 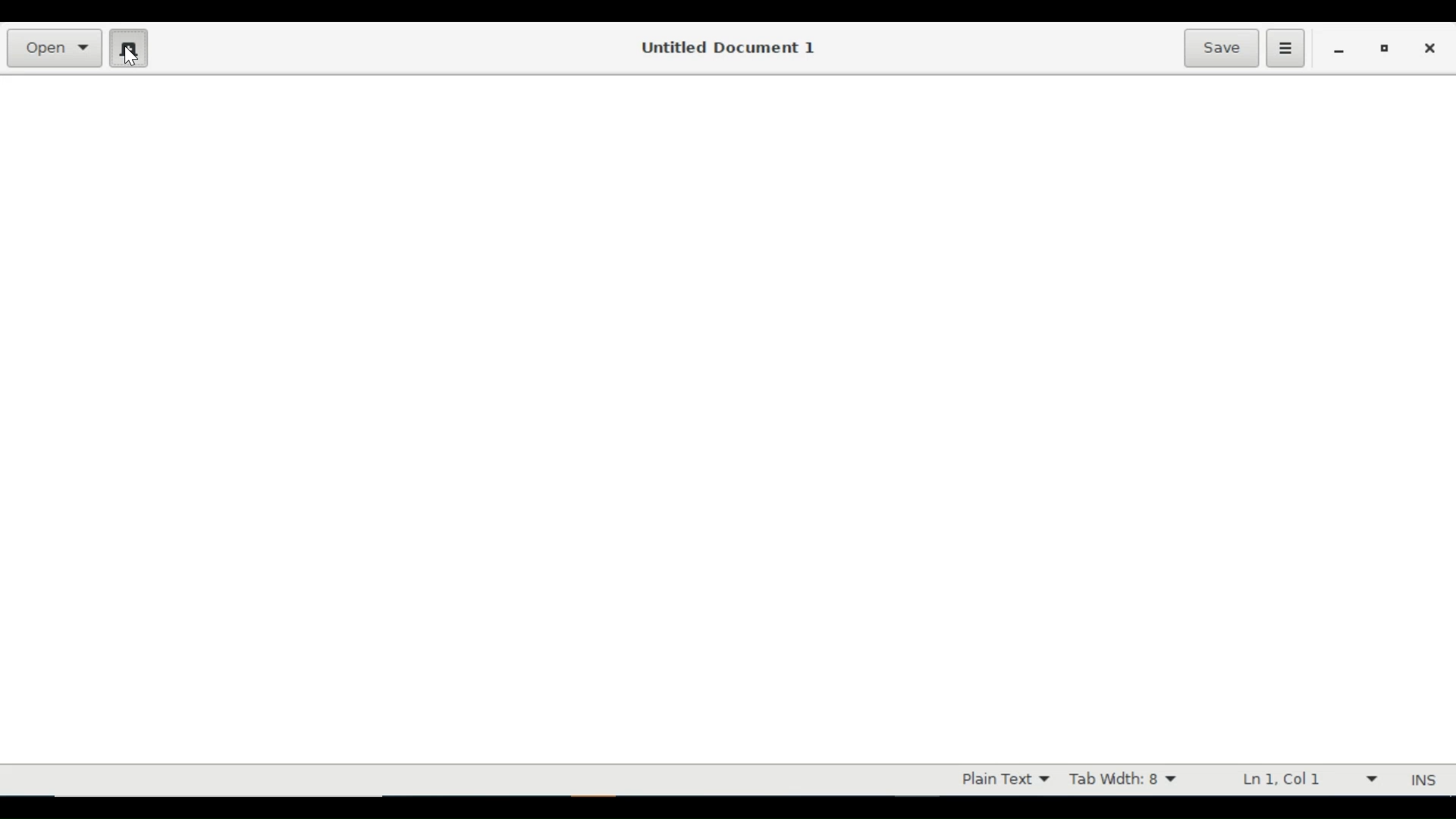 What do you see at coordinates (1304, 779) in the screenshot?
I see `Ln 1 Col 1` at bounding box center [1304, 779].